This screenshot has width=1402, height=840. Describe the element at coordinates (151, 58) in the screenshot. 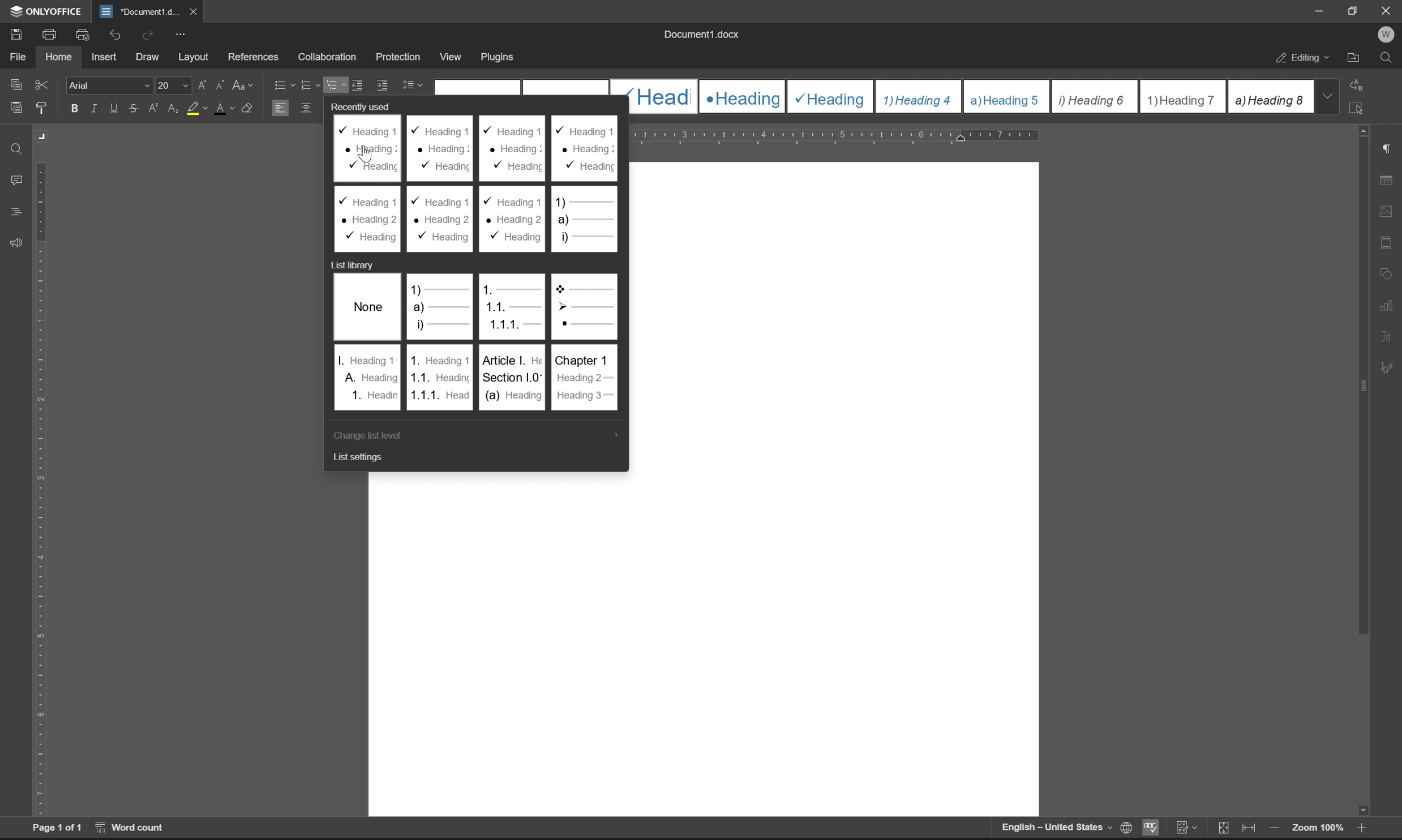

I see `draw` at that location.